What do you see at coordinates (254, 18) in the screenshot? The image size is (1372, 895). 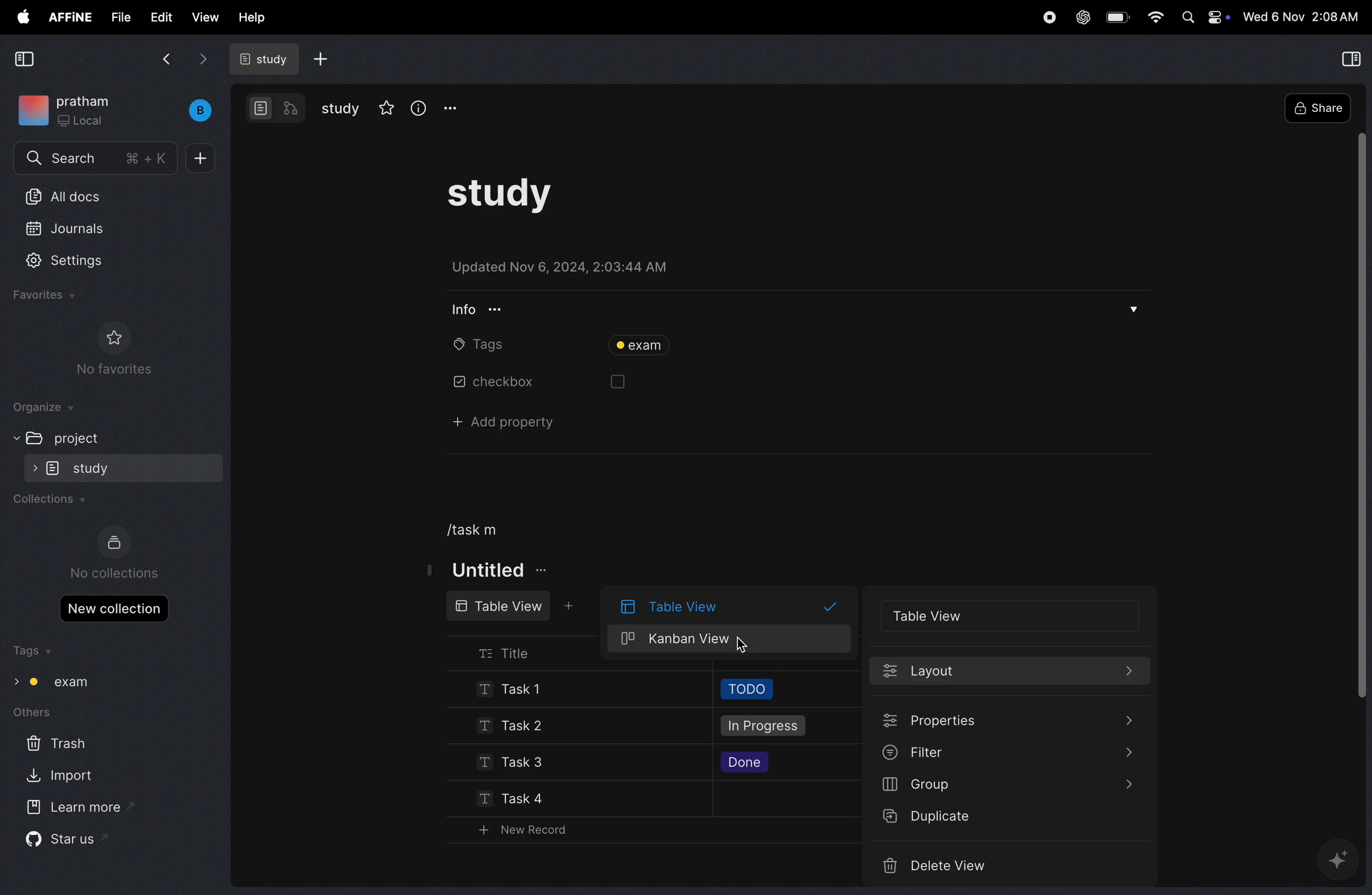 I see `help` at bounding box center [254, 18].